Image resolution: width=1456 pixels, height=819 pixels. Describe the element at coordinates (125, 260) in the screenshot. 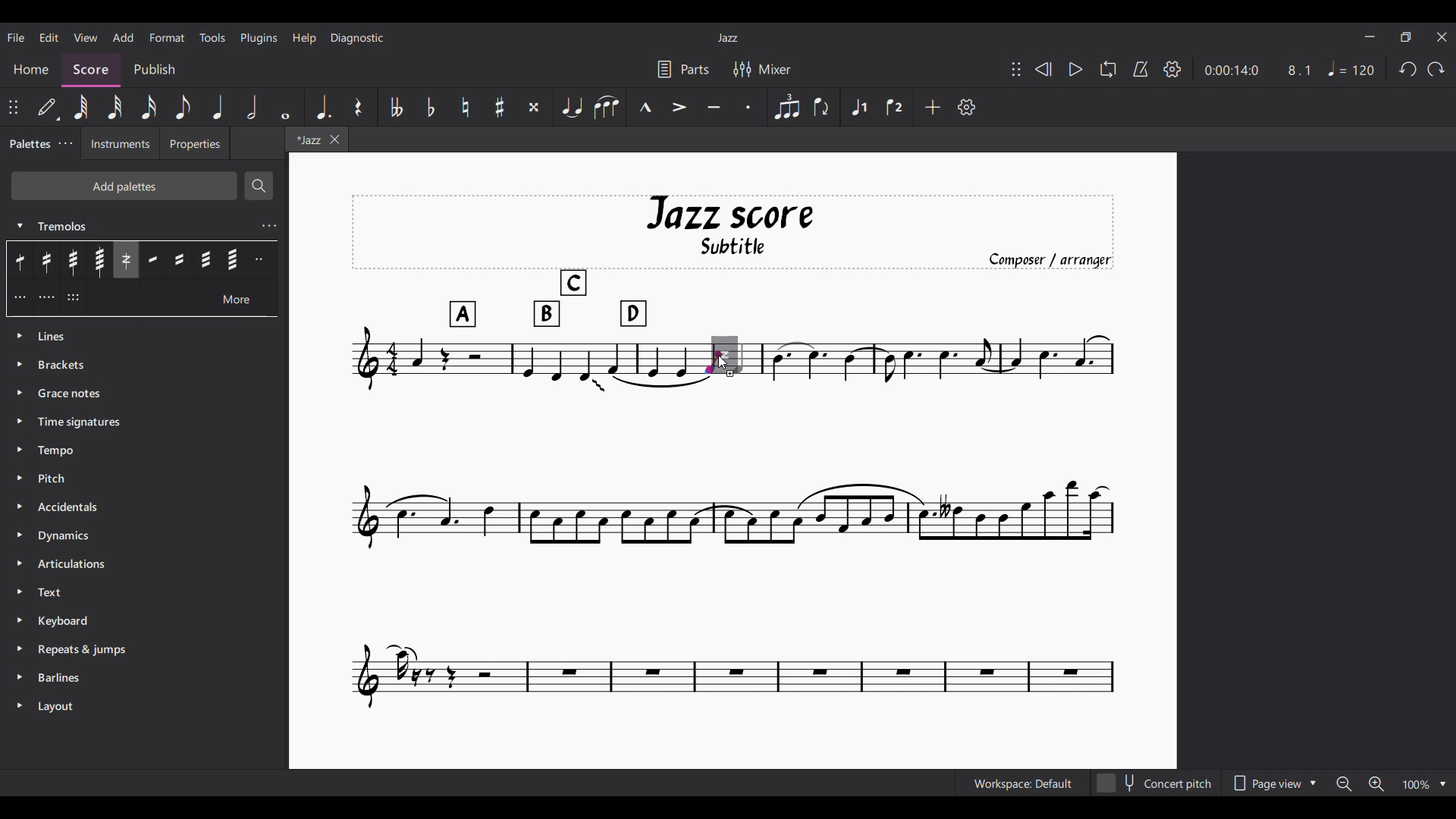

I see `Buzz roll, selection highlighted` at that location.